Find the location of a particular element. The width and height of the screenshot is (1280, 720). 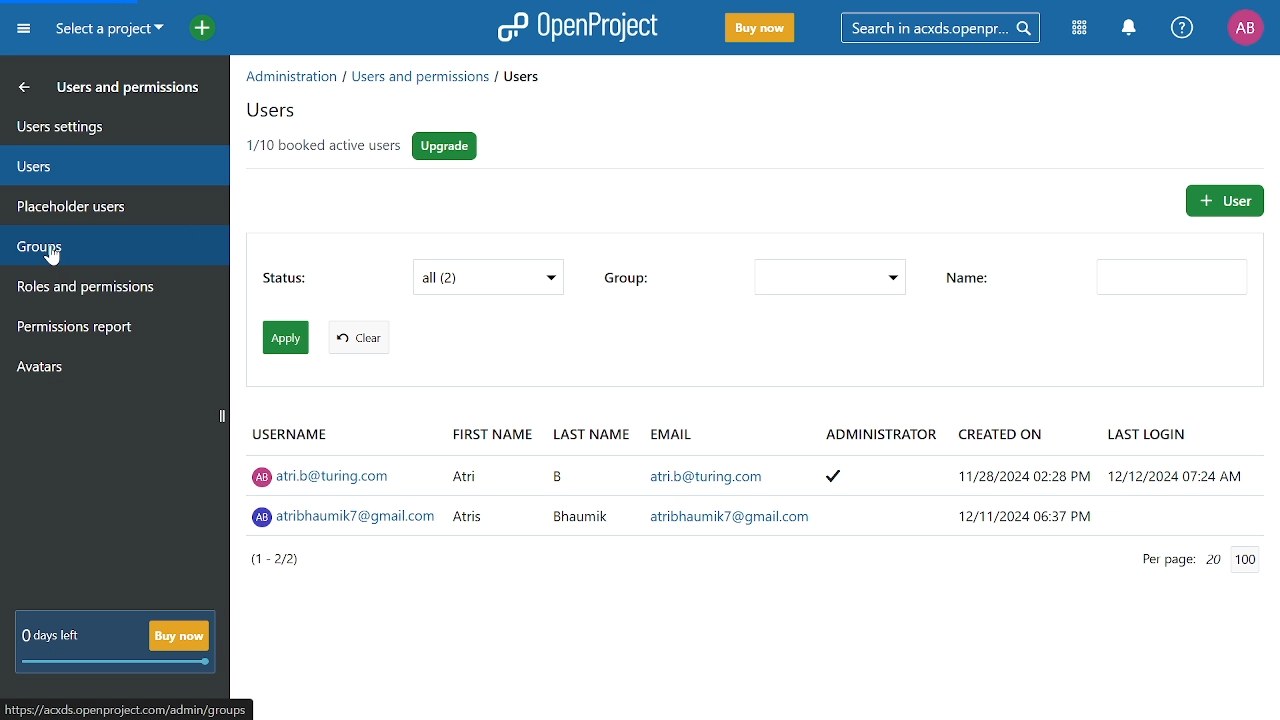

Notification is located at coordinates (1128, 28).